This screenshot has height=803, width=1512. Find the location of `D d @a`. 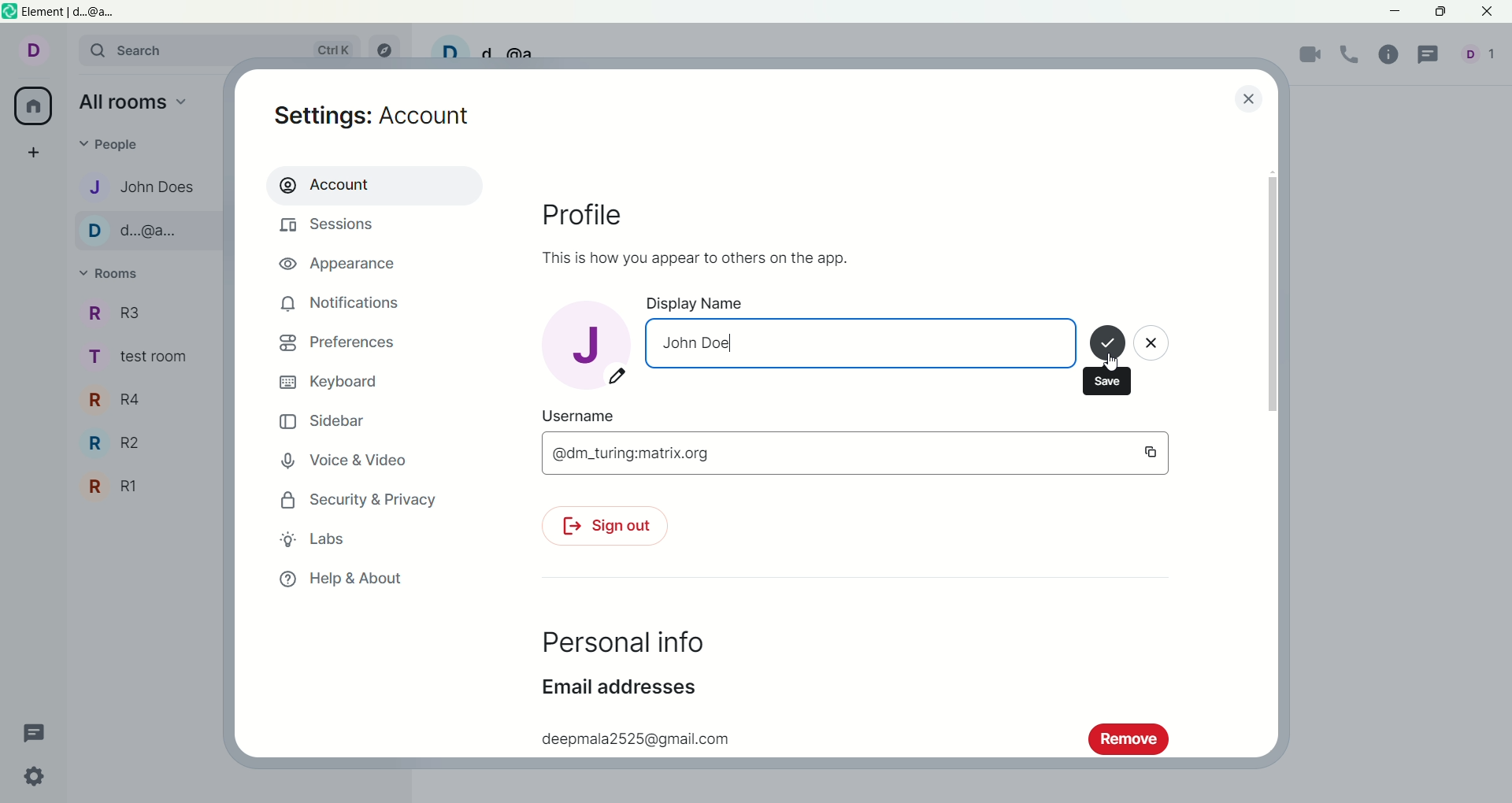

D d @a is located at coordinates (497, 48).